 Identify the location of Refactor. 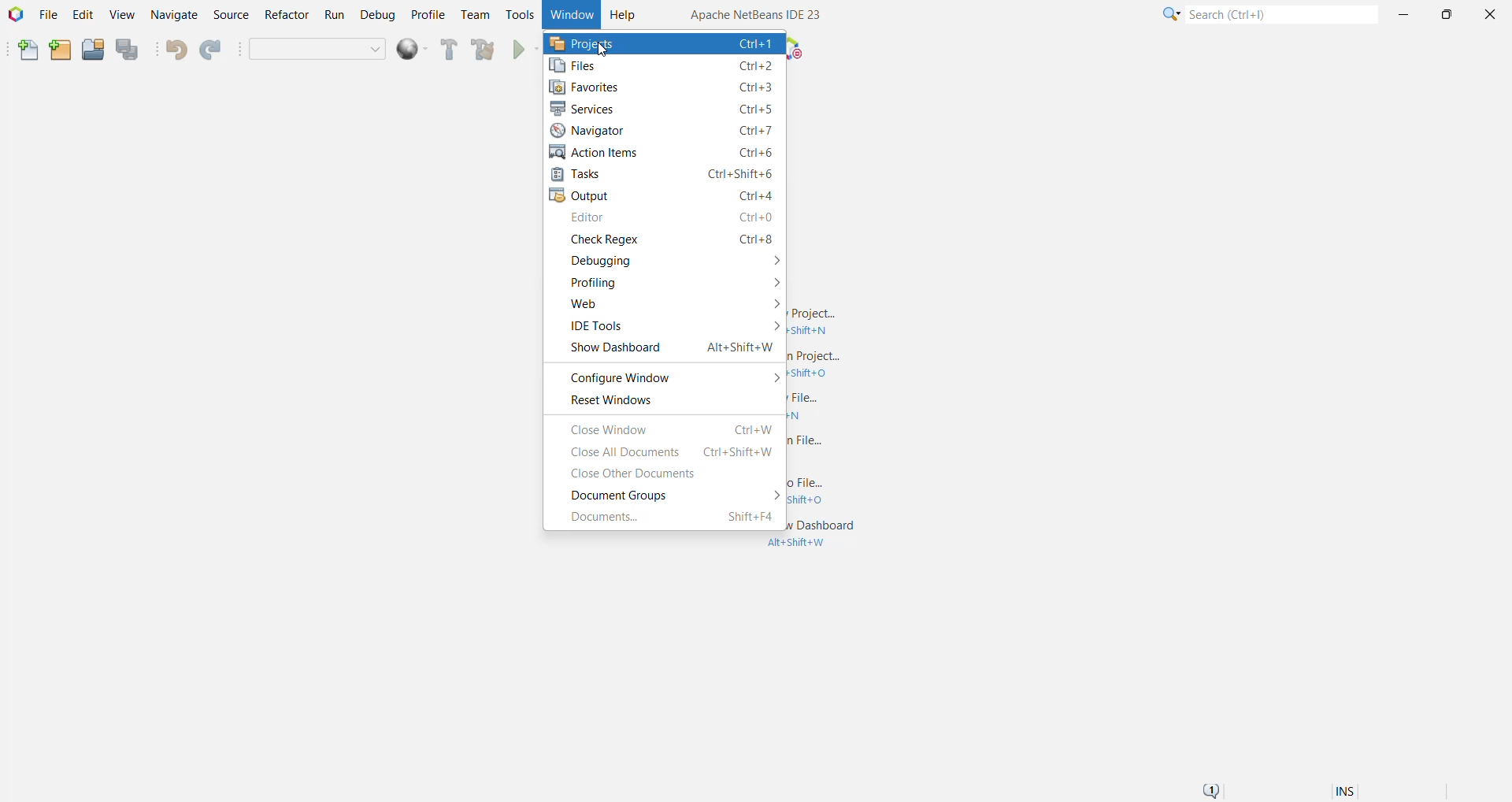
(284, 16).